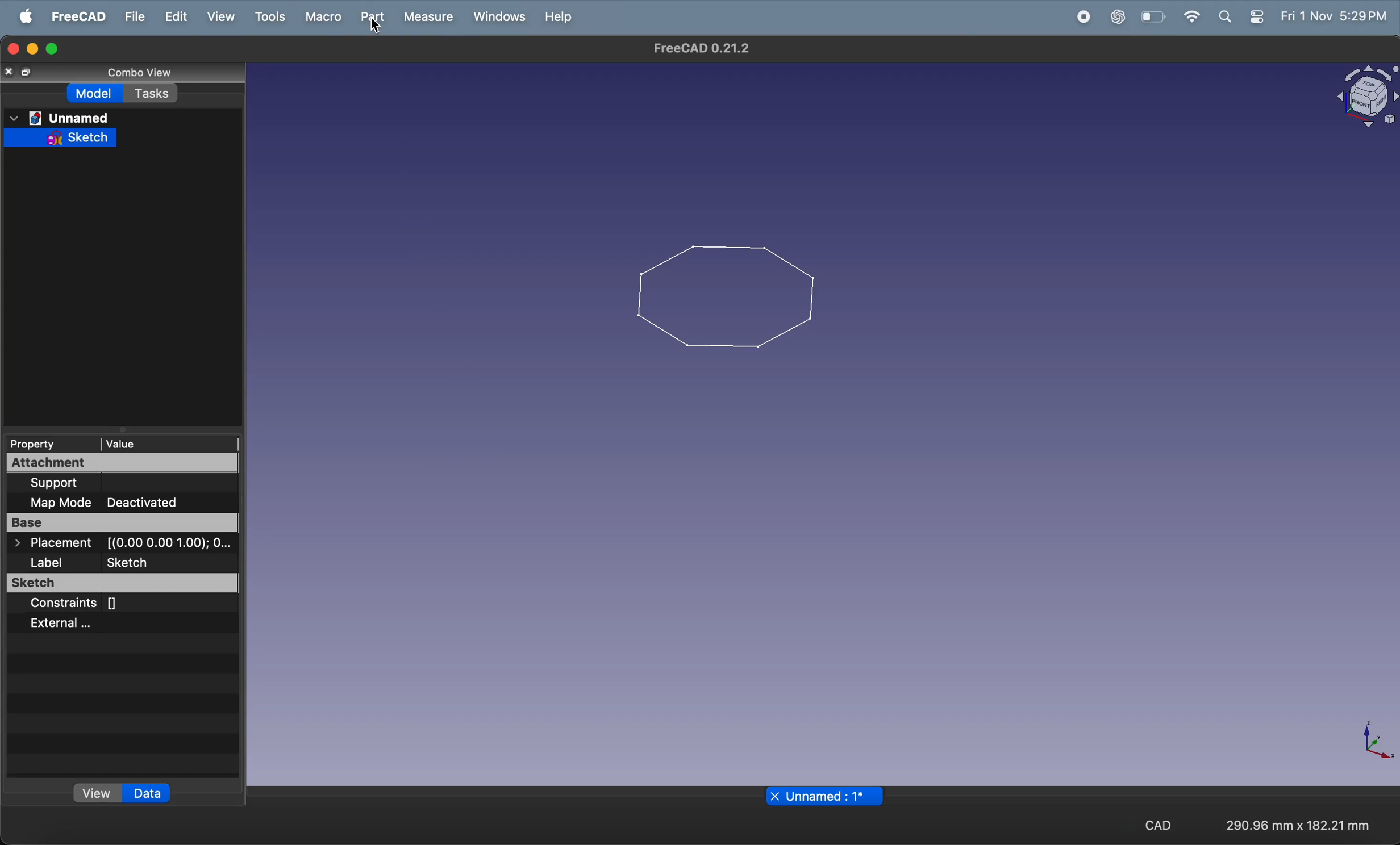 This screenshot has width=1400, height=845. Describe the element at coordinates (728, 296) in the screenshot. I see `2d plygon` at that location.